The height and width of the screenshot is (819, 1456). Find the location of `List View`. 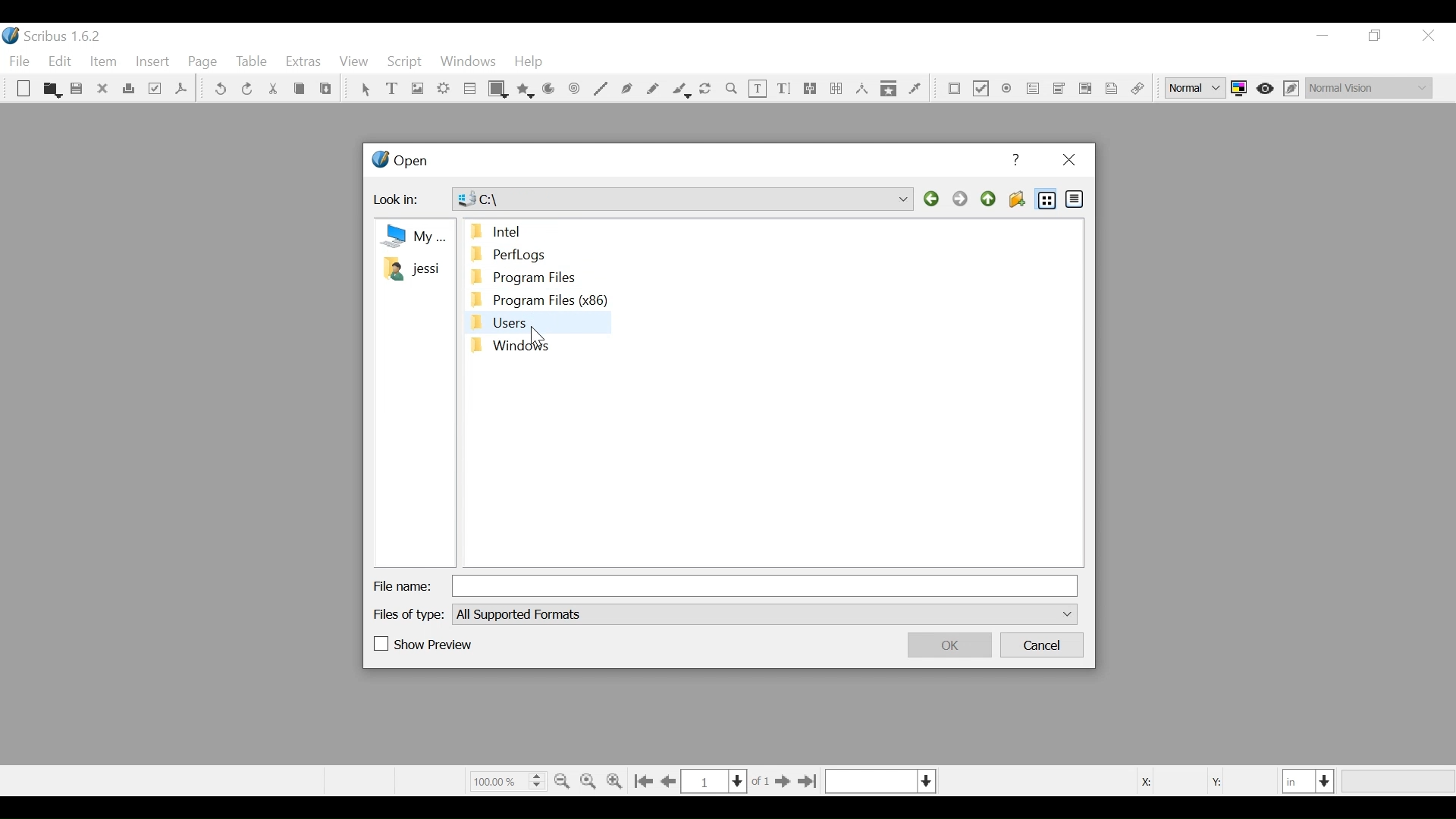

List View is located at coordinates (1047, 199).